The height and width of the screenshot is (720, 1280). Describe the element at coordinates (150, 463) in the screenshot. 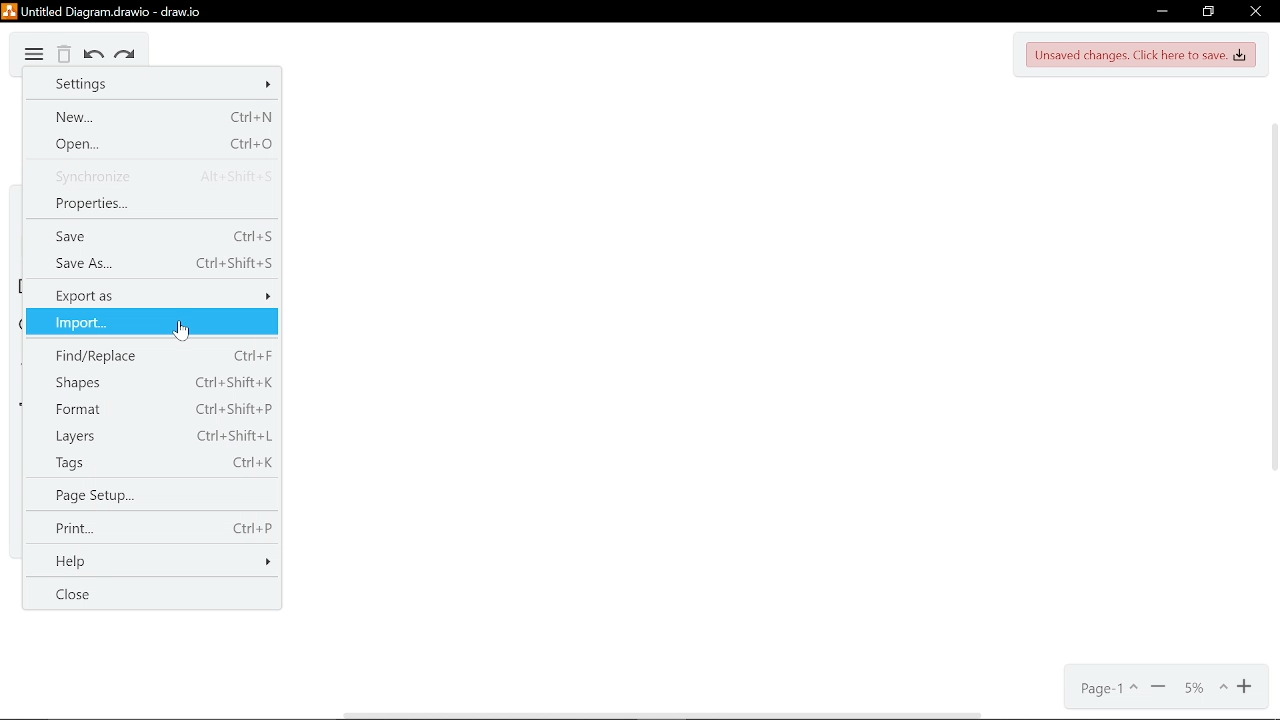

I see `Tags (shortcut Ctrl+K)` at that location.